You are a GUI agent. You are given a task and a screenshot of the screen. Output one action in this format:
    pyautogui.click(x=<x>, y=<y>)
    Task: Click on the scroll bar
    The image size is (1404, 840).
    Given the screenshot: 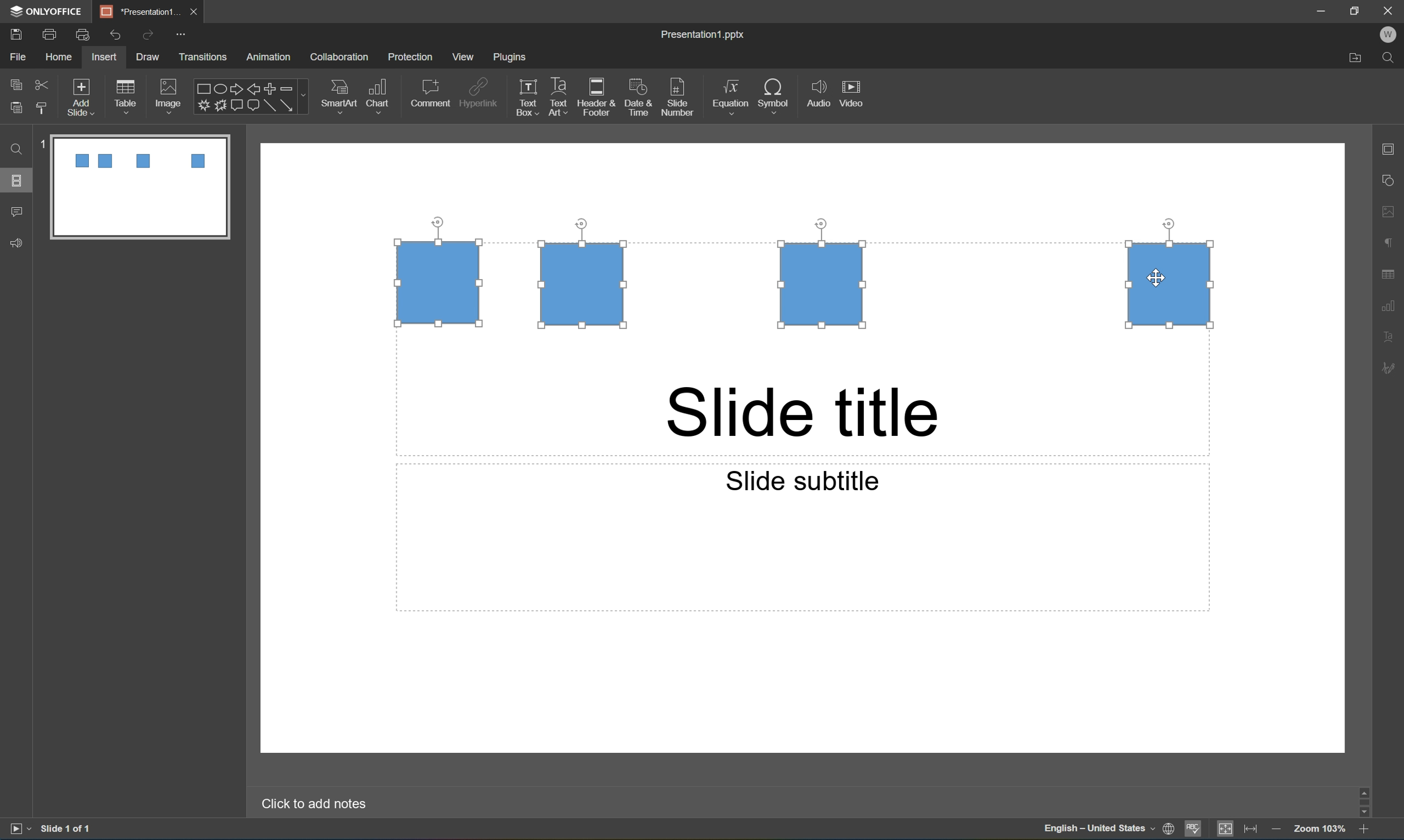 What is the action you would take?
    pyautogui.click(x=1367, y=801)
    